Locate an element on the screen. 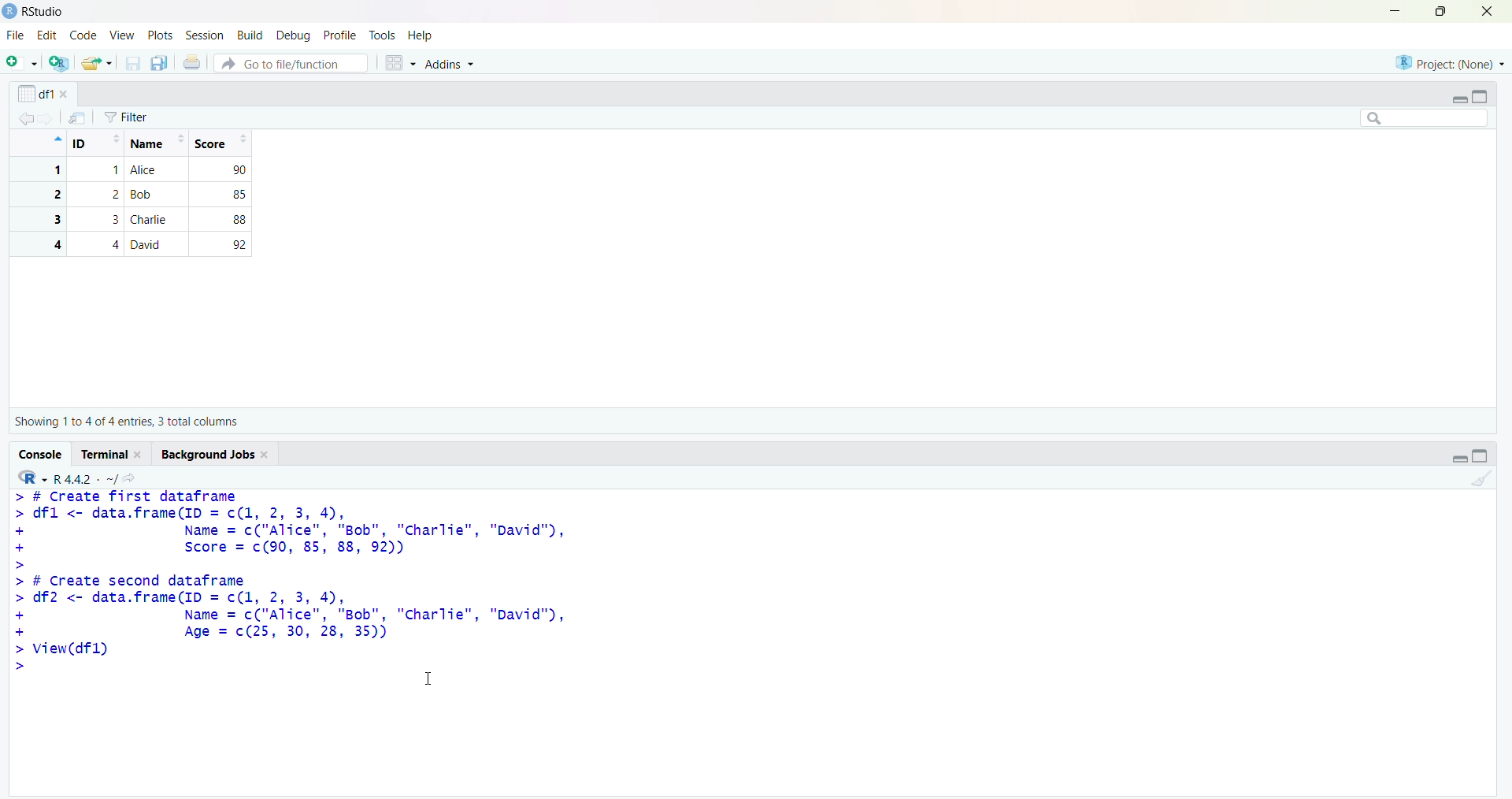  Score is located at coordinates (222, 143).